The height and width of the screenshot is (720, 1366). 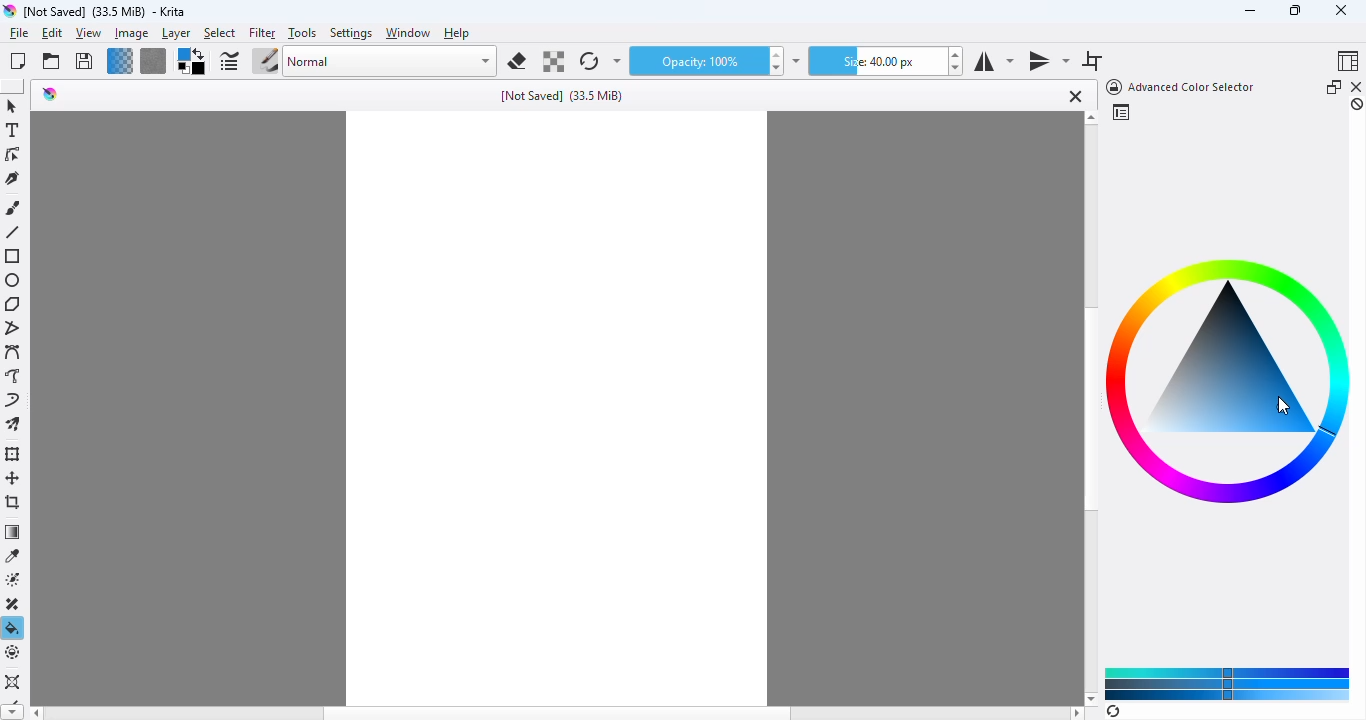 I want to click on resize, so click(x=1294, y=9).